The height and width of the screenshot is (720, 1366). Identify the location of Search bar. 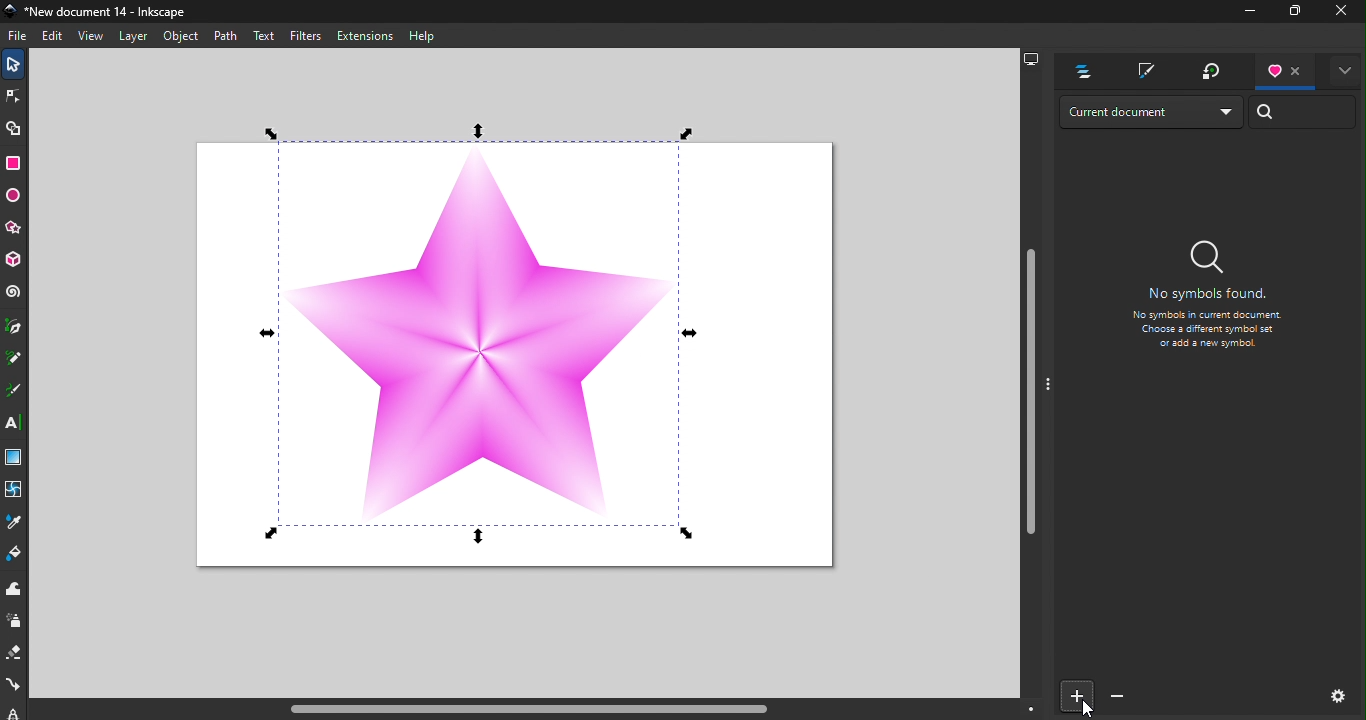
(1303, 112).